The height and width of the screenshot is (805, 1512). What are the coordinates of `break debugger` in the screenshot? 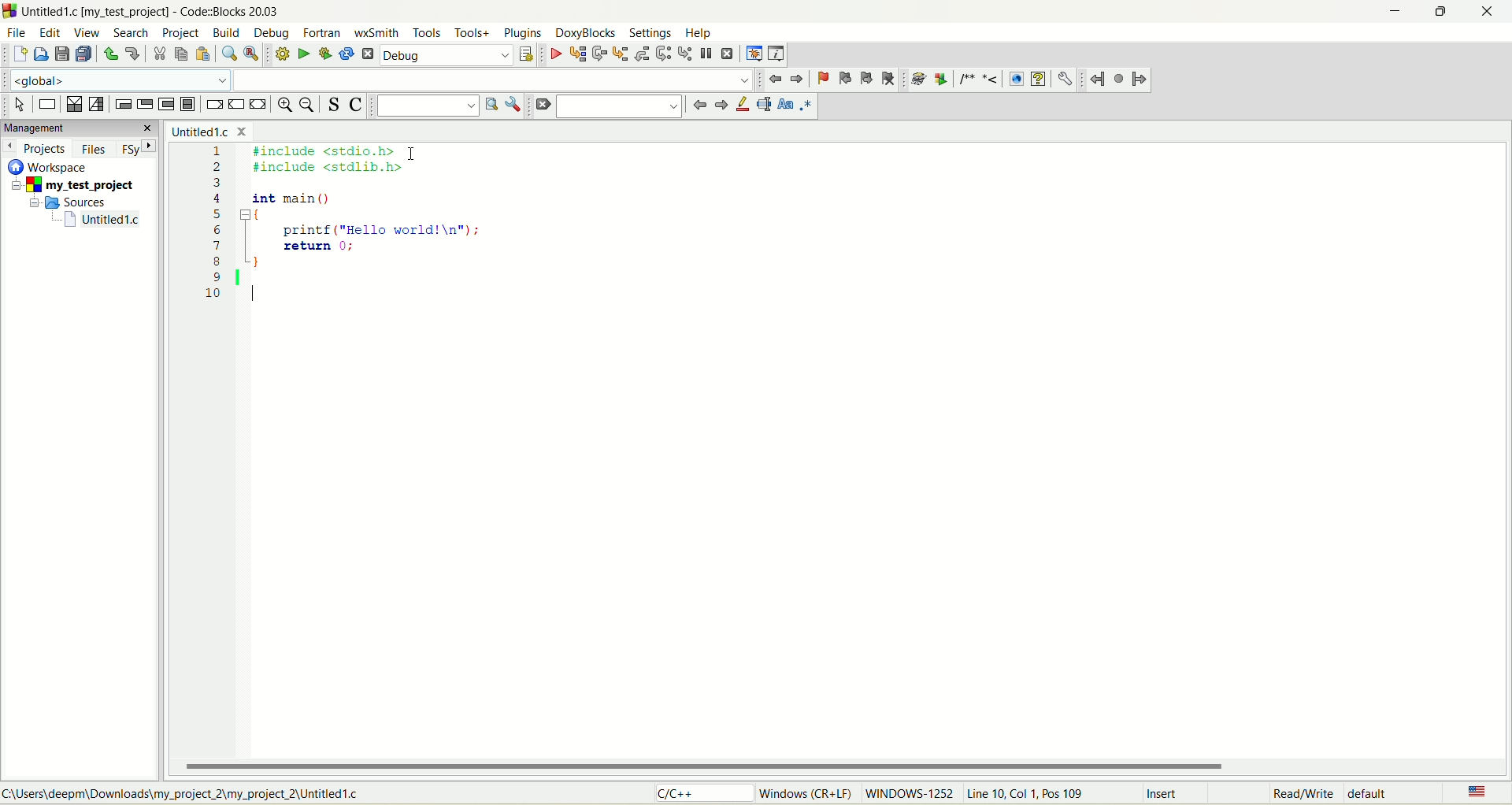 It's located at (706, 54).